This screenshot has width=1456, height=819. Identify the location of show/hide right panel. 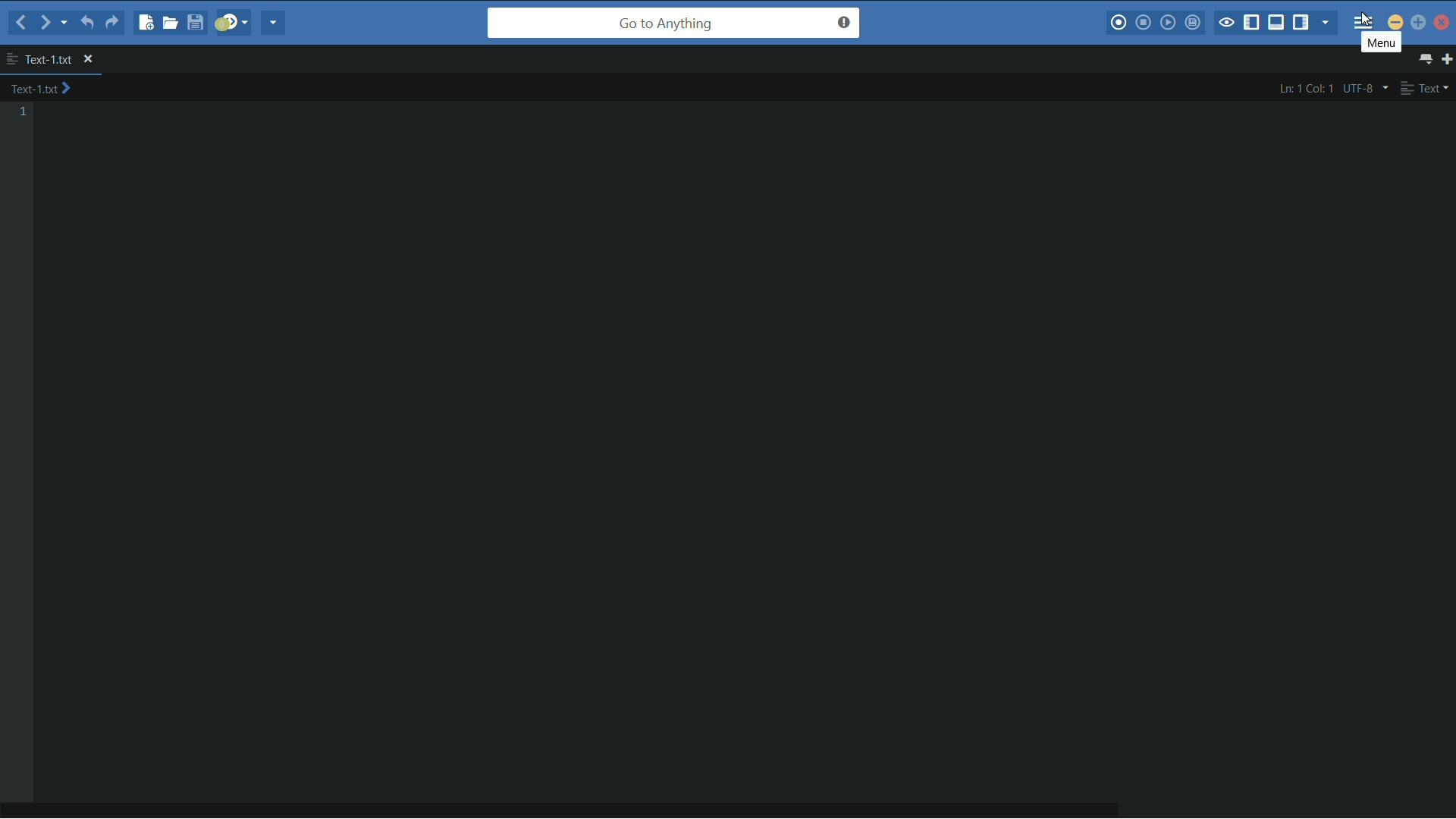
(1301, 23).